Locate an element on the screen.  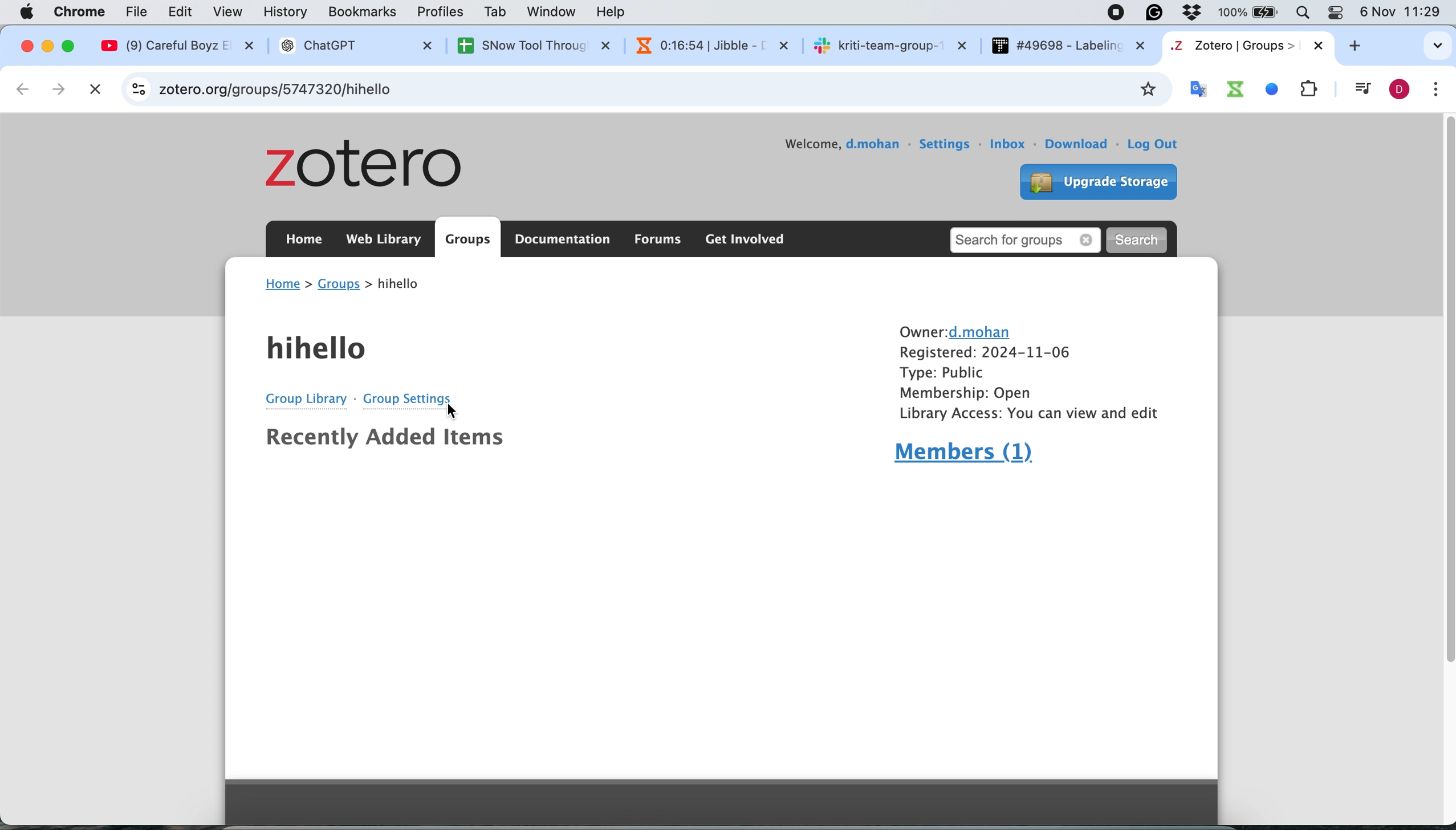
documentation is located at coordinates (564, 240).